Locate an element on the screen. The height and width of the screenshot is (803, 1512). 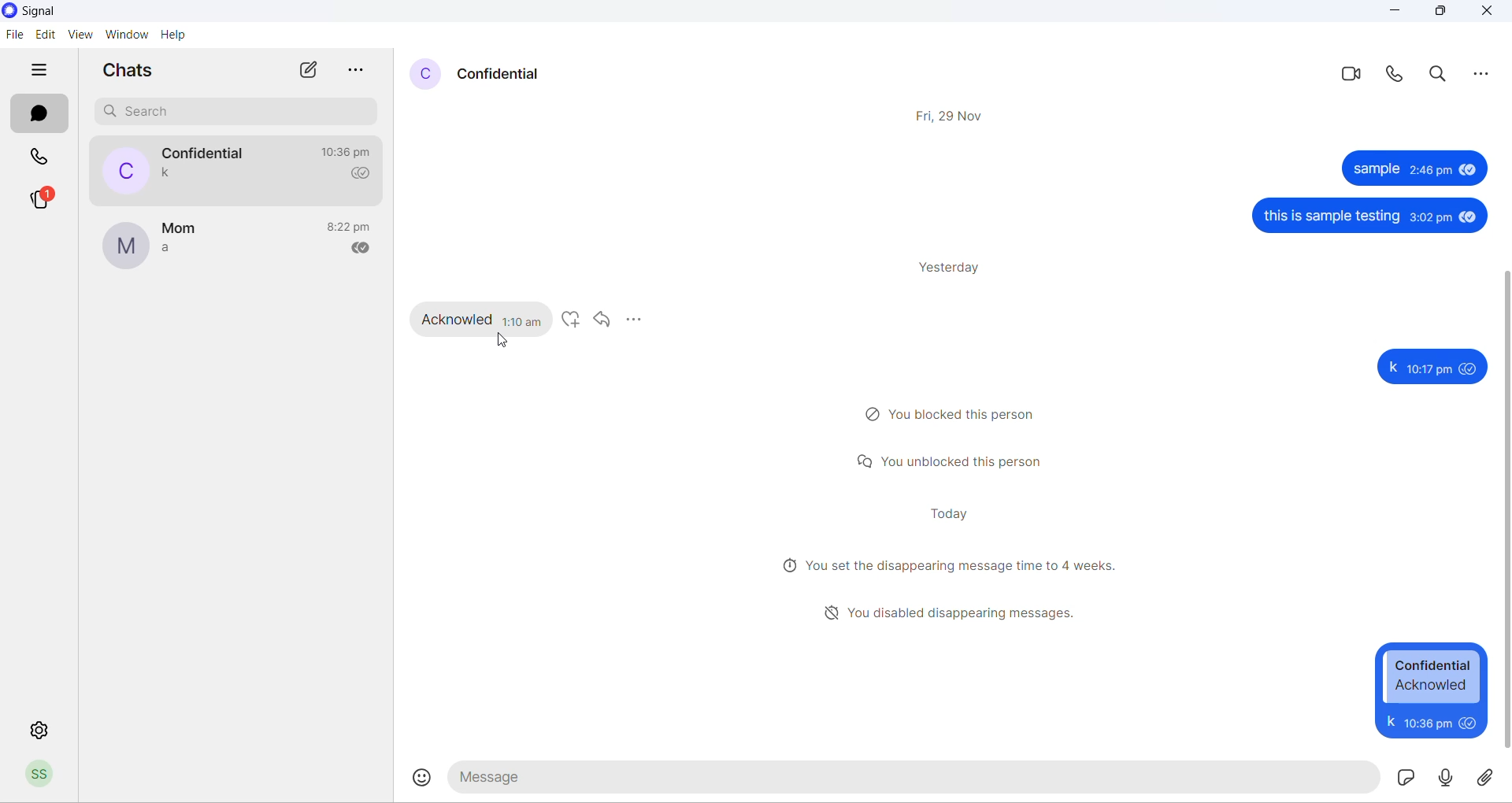
last message is located at coordinates (169, 174).